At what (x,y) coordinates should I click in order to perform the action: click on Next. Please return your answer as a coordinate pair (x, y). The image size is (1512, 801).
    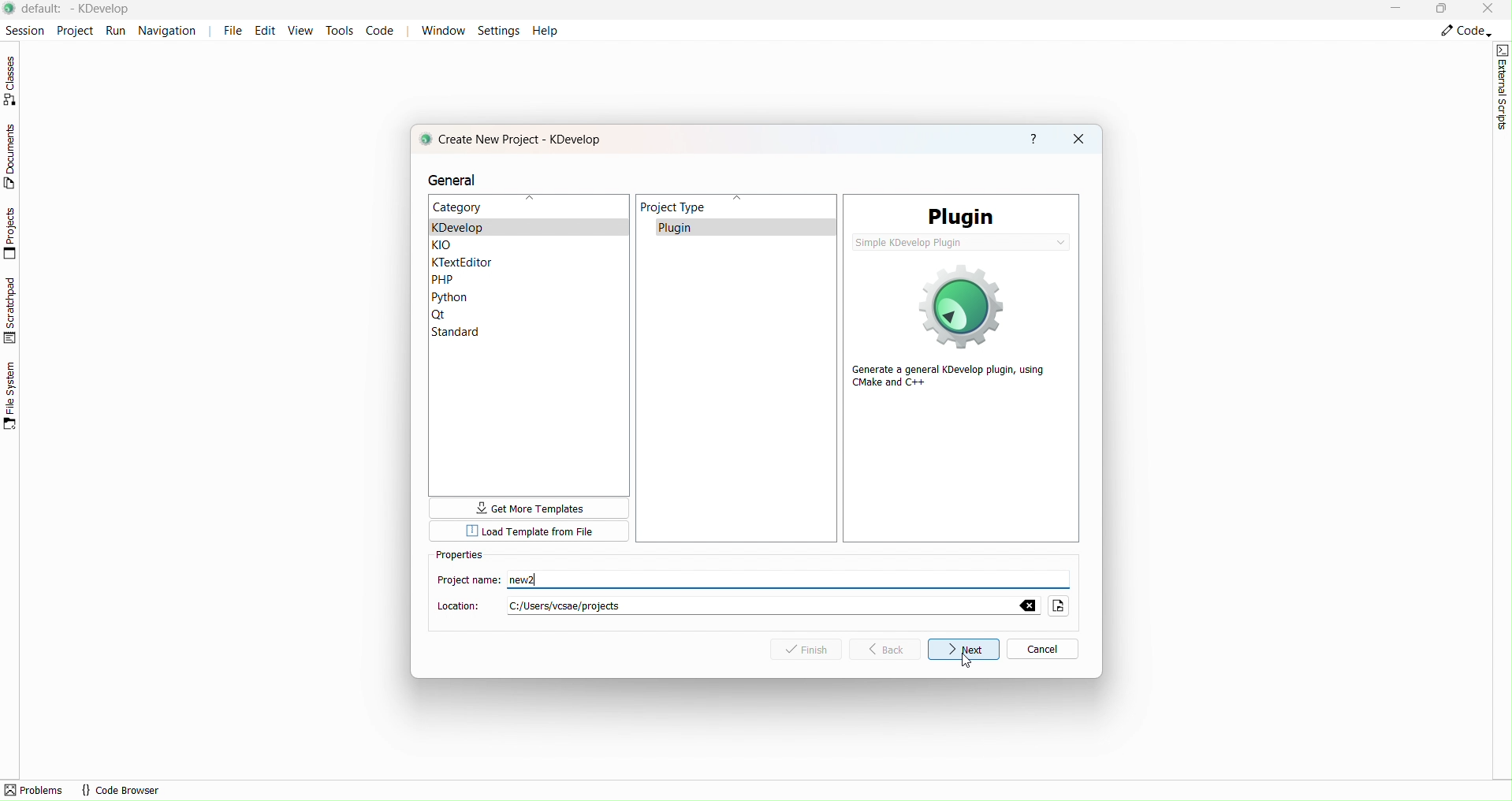
    Looking at the image, I should click on (964, 649).